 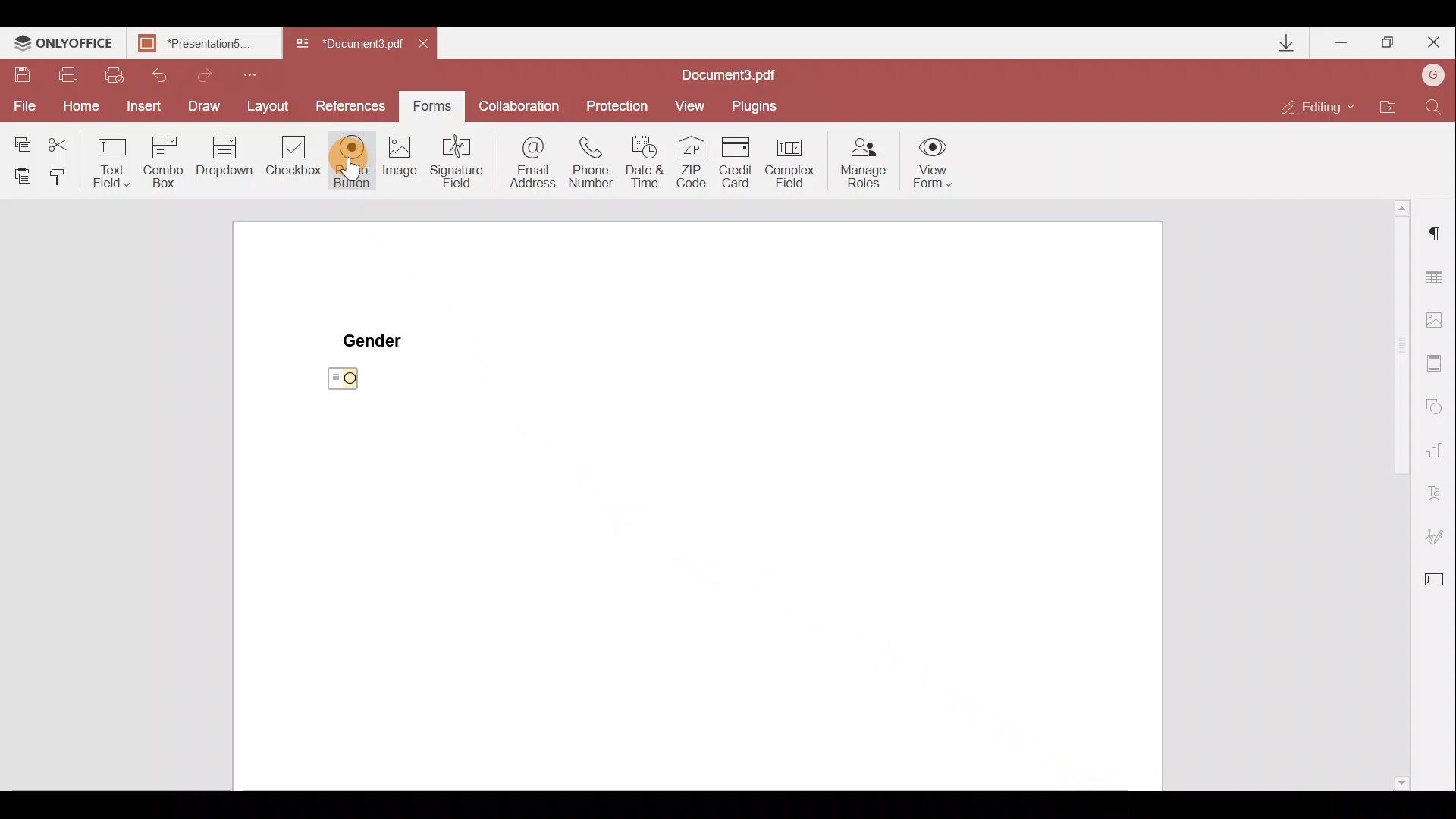 I want to click on Gender, so click(x=375, y=339).